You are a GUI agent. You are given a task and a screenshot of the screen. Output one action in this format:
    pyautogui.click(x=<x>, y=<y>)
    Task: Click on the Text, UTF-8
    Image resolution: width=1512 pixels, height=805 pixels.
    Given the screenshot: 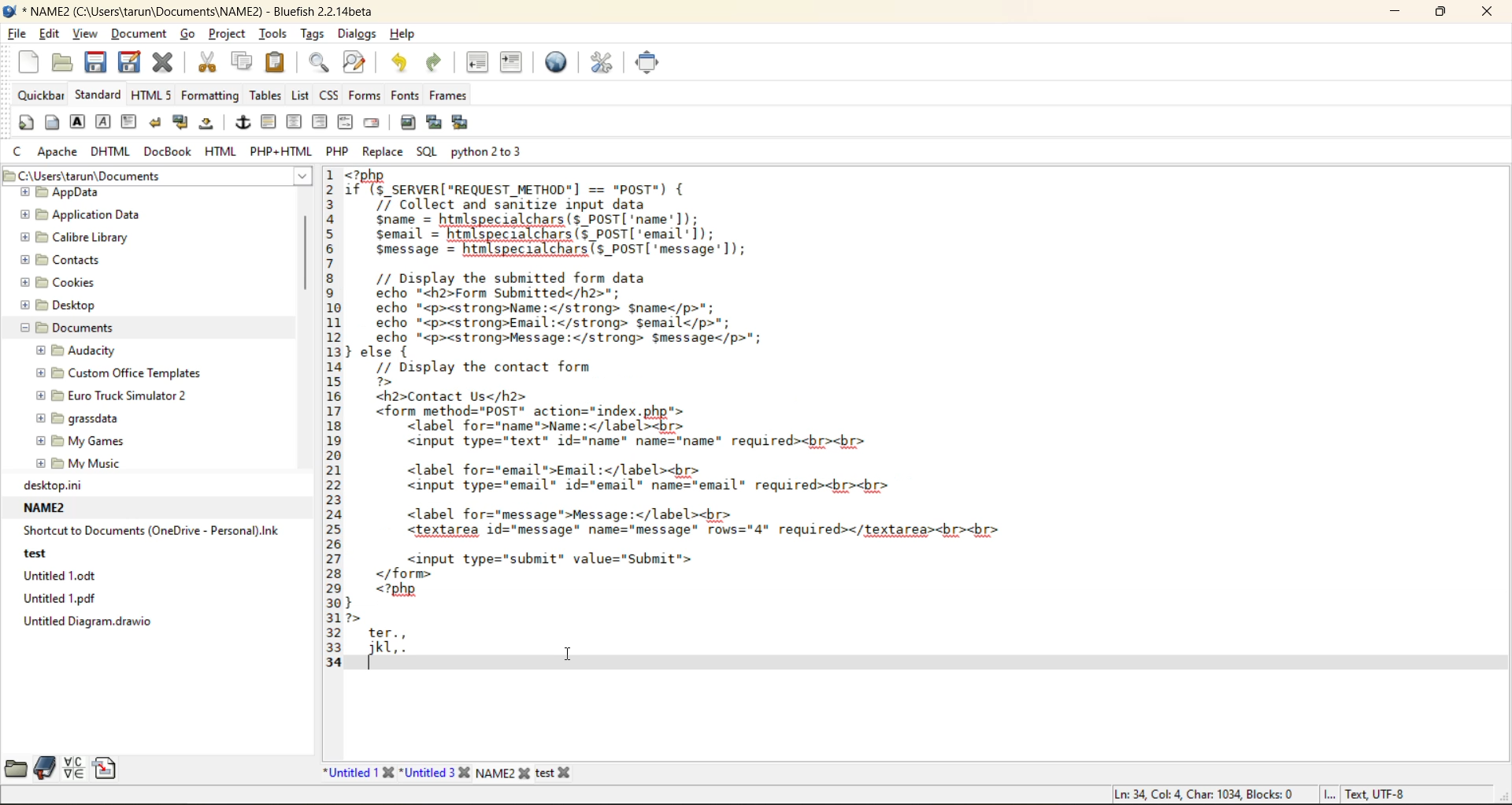 What is the action you would take?
    pyautogui.click(x=1366, y=795)
    